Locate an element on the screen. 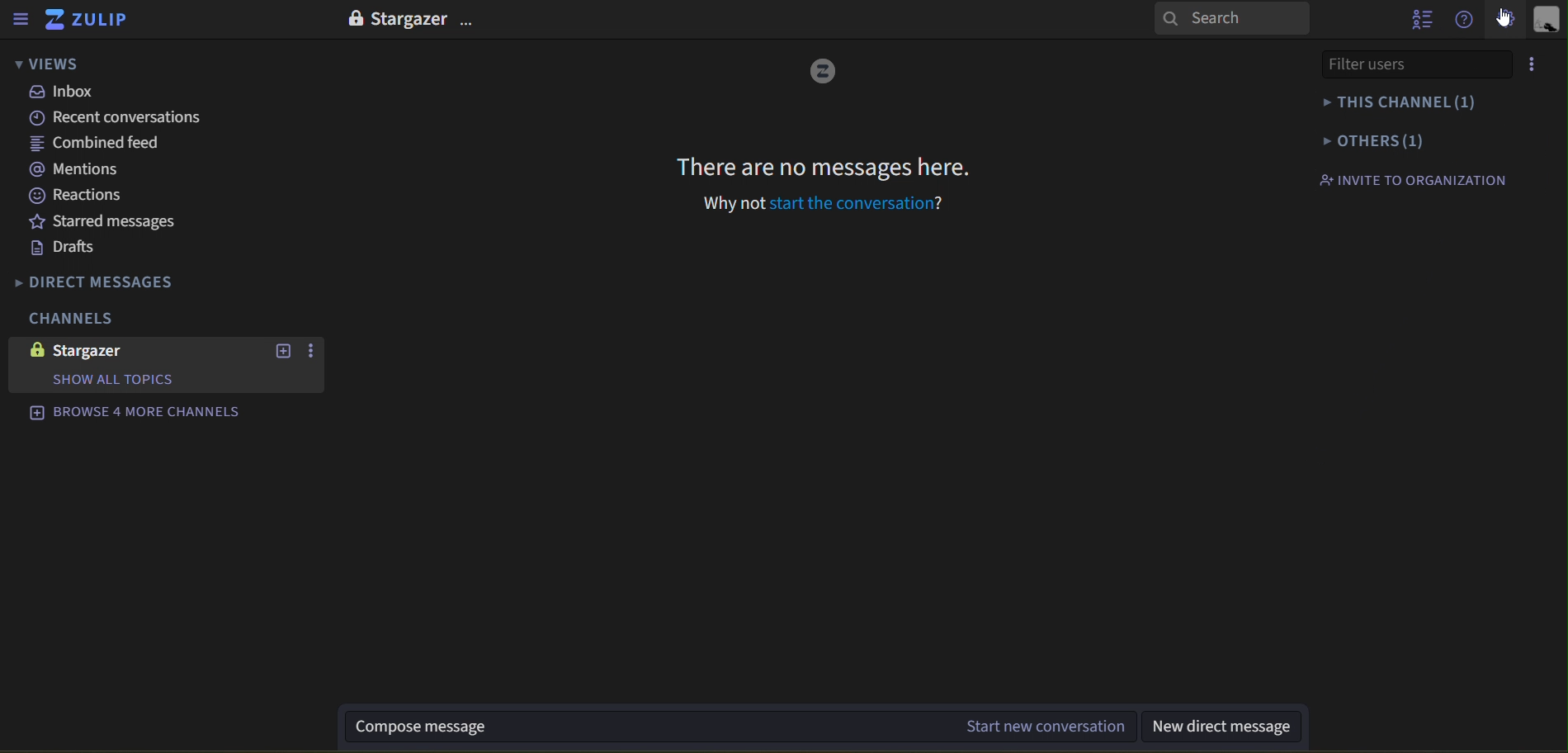 The height and width of the screenshot is (753, 1568). options is located at coordinates (314, 351).